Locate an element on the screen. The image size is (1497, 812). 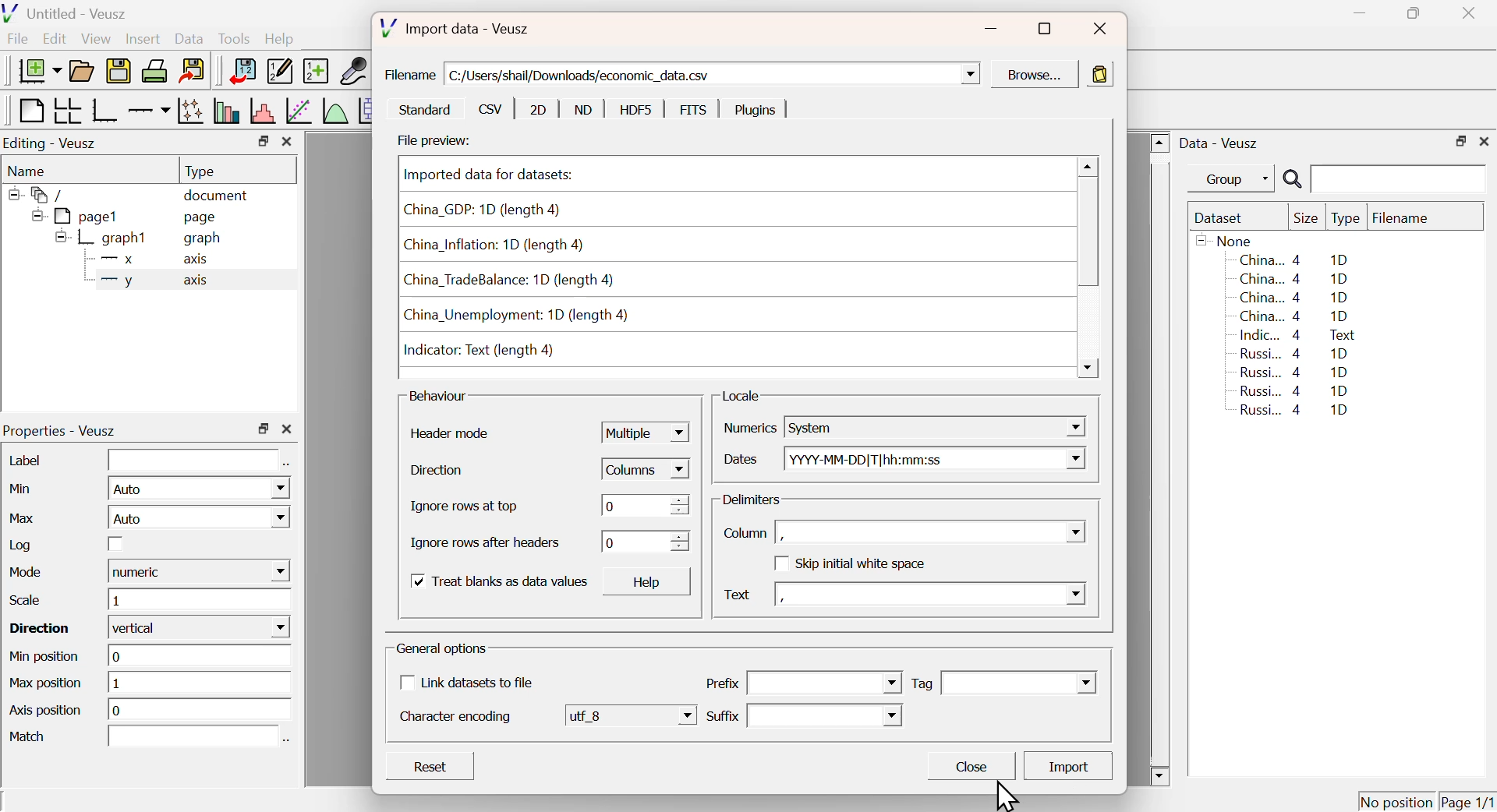
Russi... 4 1D is located at coordinates (1291, 390).